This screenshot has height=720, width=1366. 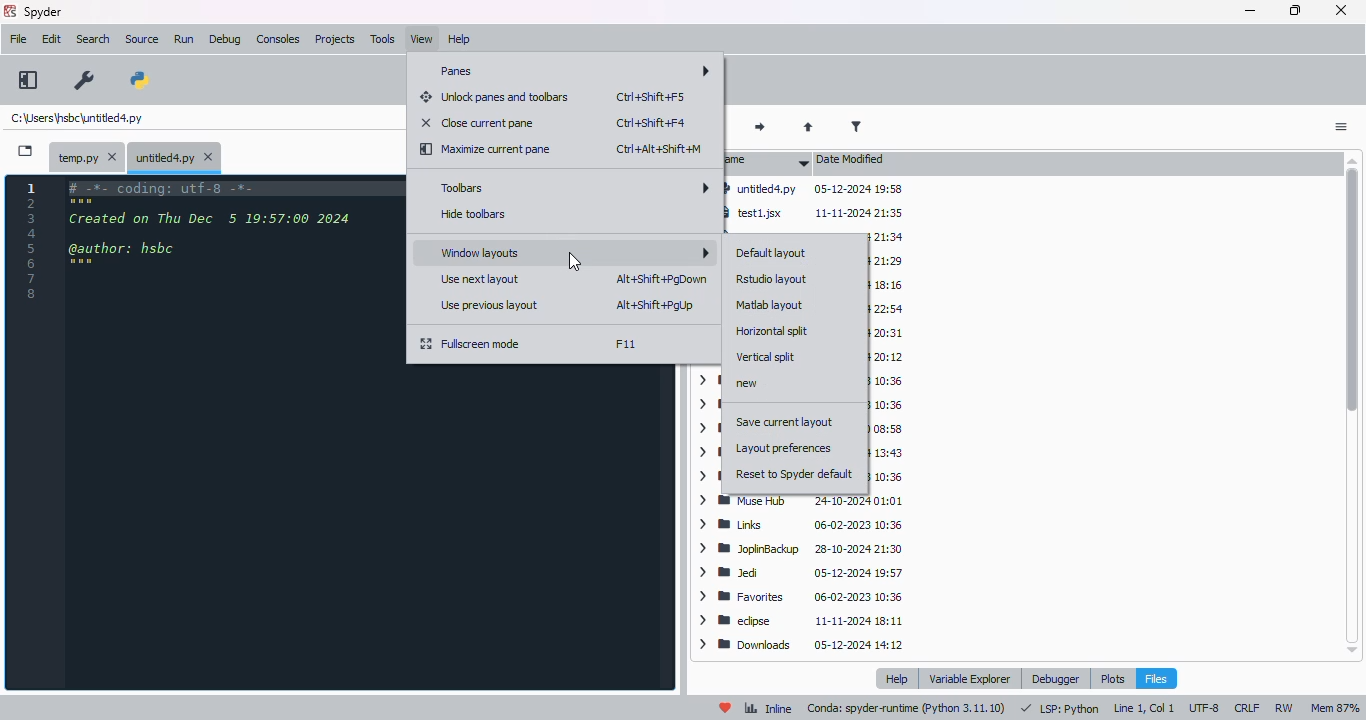 What do you see at coordinates (85, 81) in the screenshot?
I see `preferences` at bounding box center [85, 81].